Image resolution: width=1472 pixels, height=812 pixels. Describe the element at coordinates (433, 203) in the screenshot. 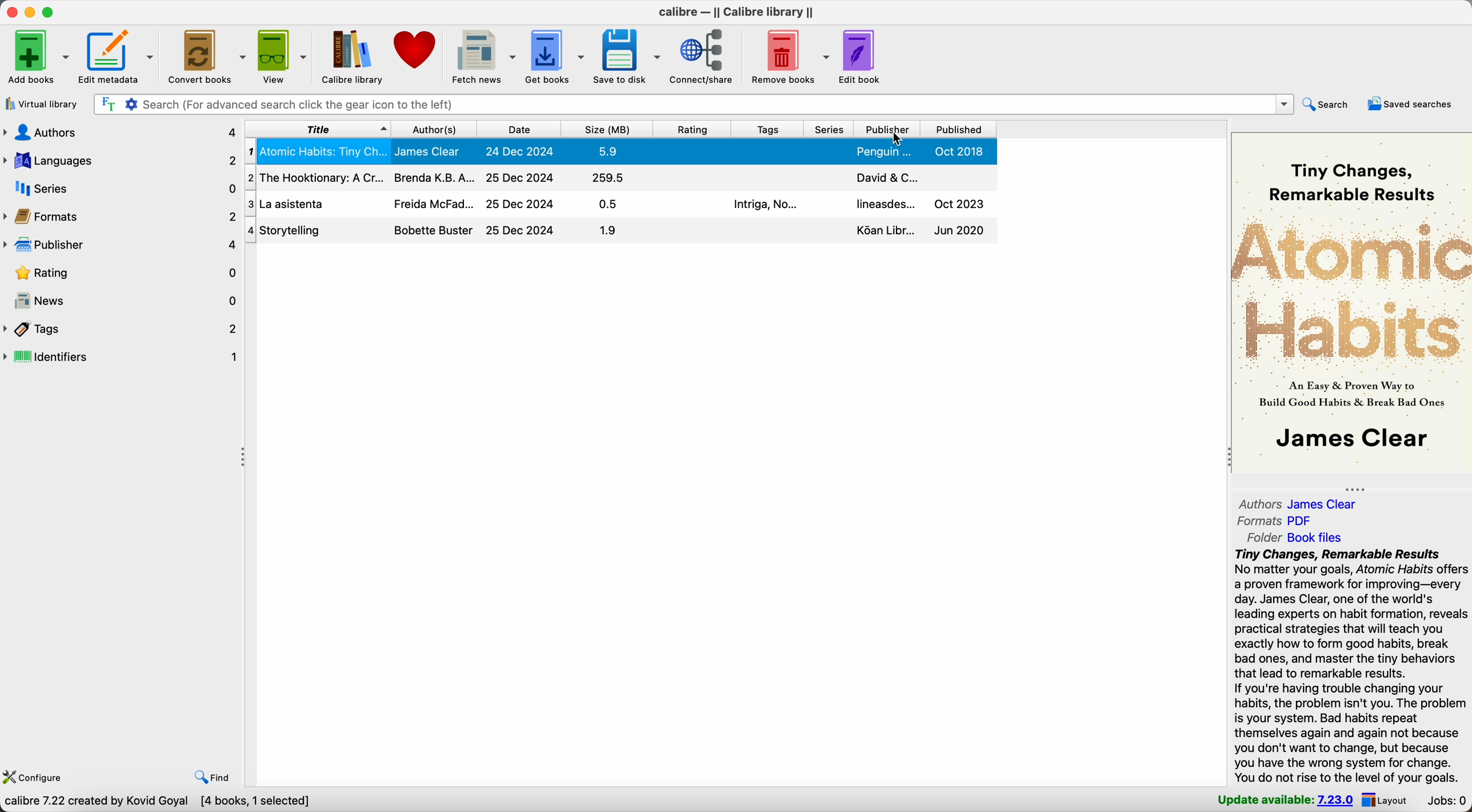

I see `freida McFad...` at that location.